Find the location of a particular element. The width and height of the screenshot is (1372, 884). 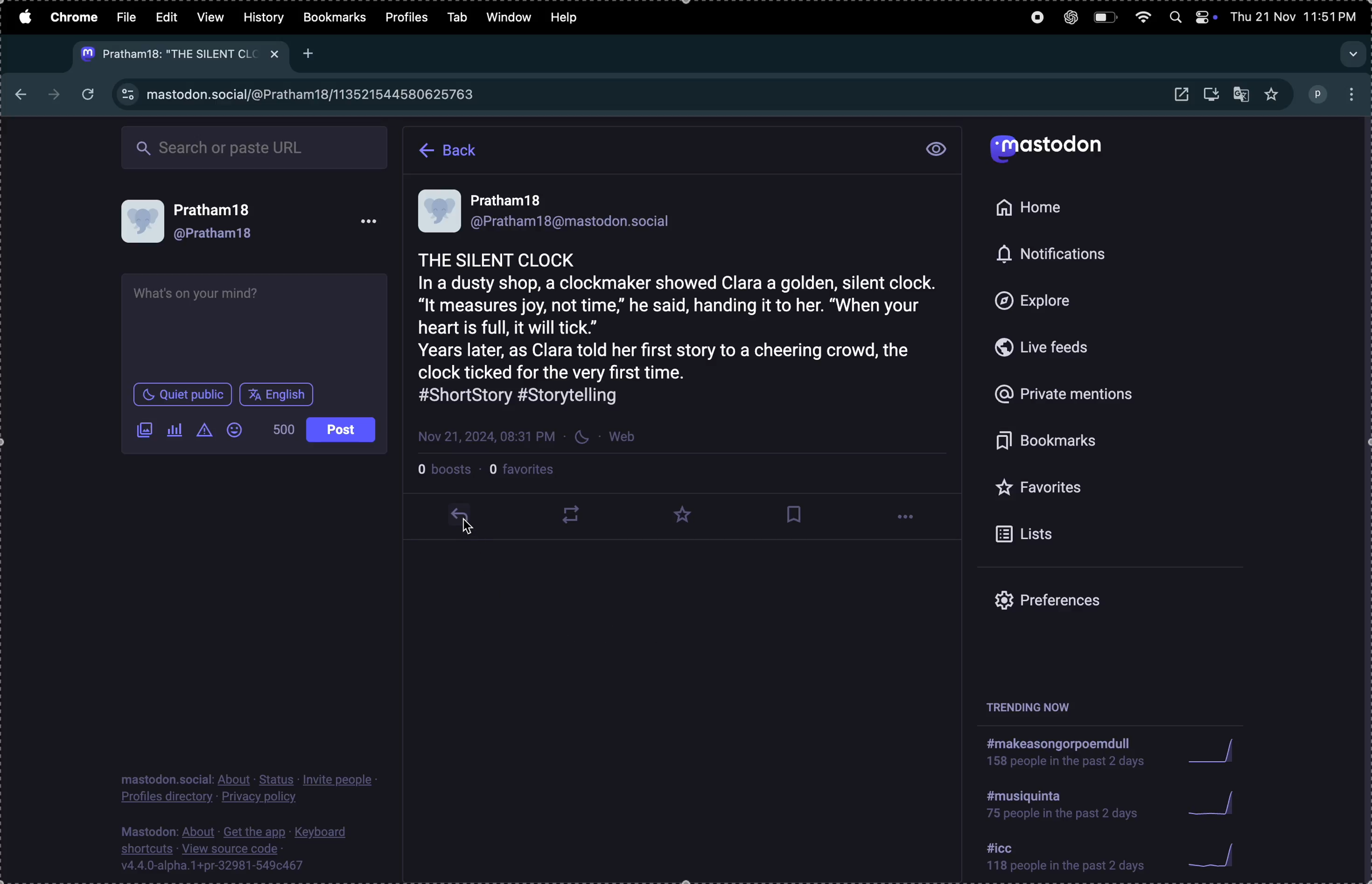

quiet place is located at coordinates (183, 394).